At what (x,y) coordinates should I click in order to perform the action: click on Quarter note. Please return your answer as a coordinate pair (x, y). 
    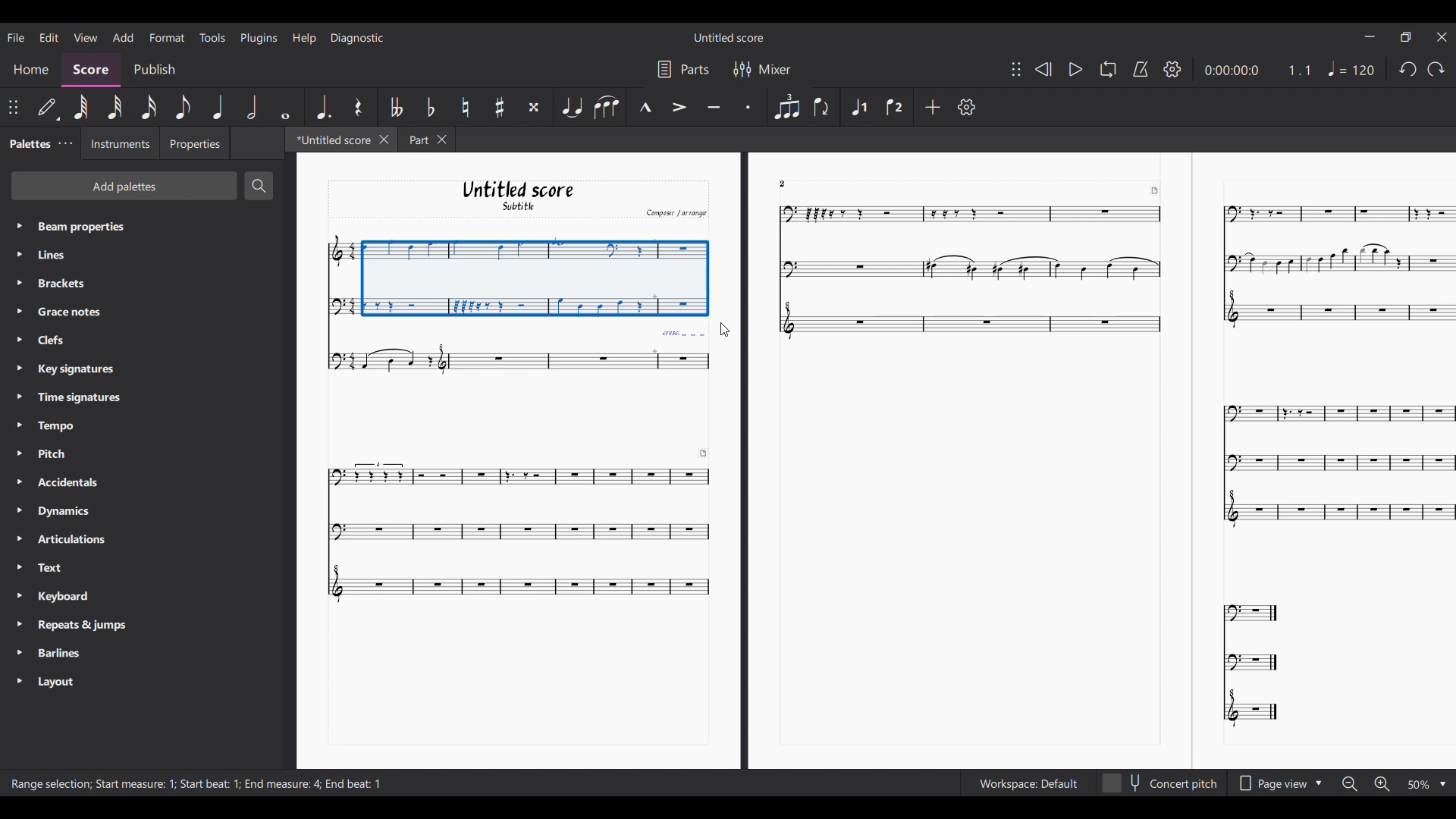
    Looking at the image, I should click on (219, 107).